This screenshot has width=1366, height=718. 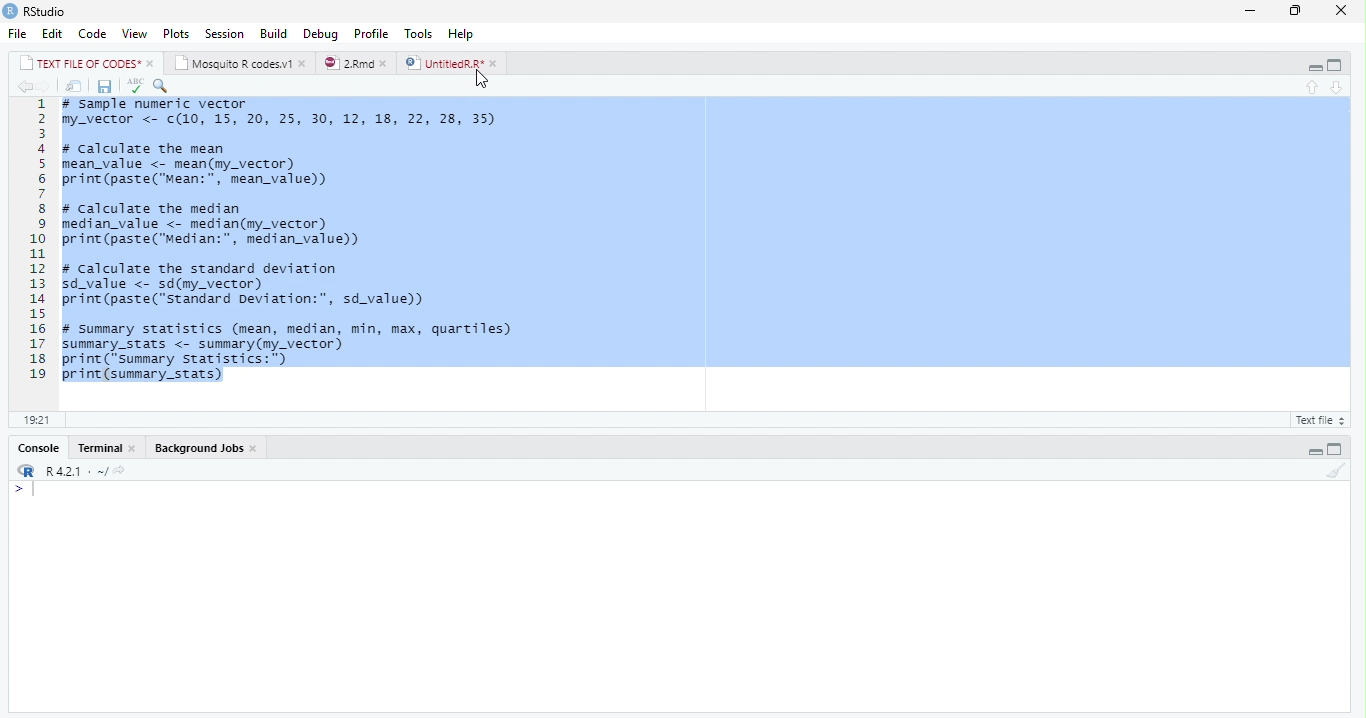 What do you see at coordinates (106, 87) in the screenshot?
I see `save` at bounding box center [106, 87].